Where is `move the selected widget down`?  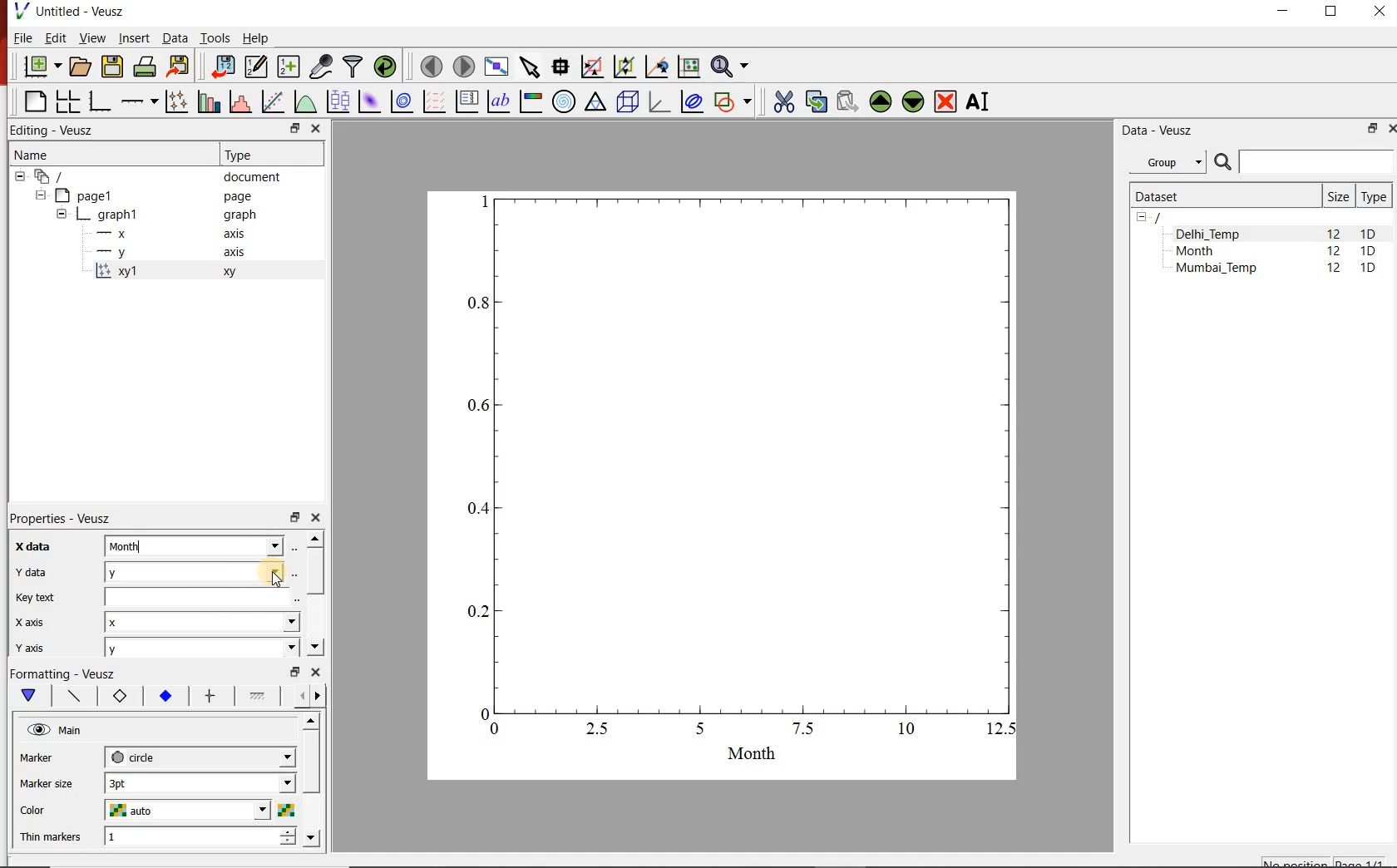 move the selected widget down is located at coordinates (913, 102).